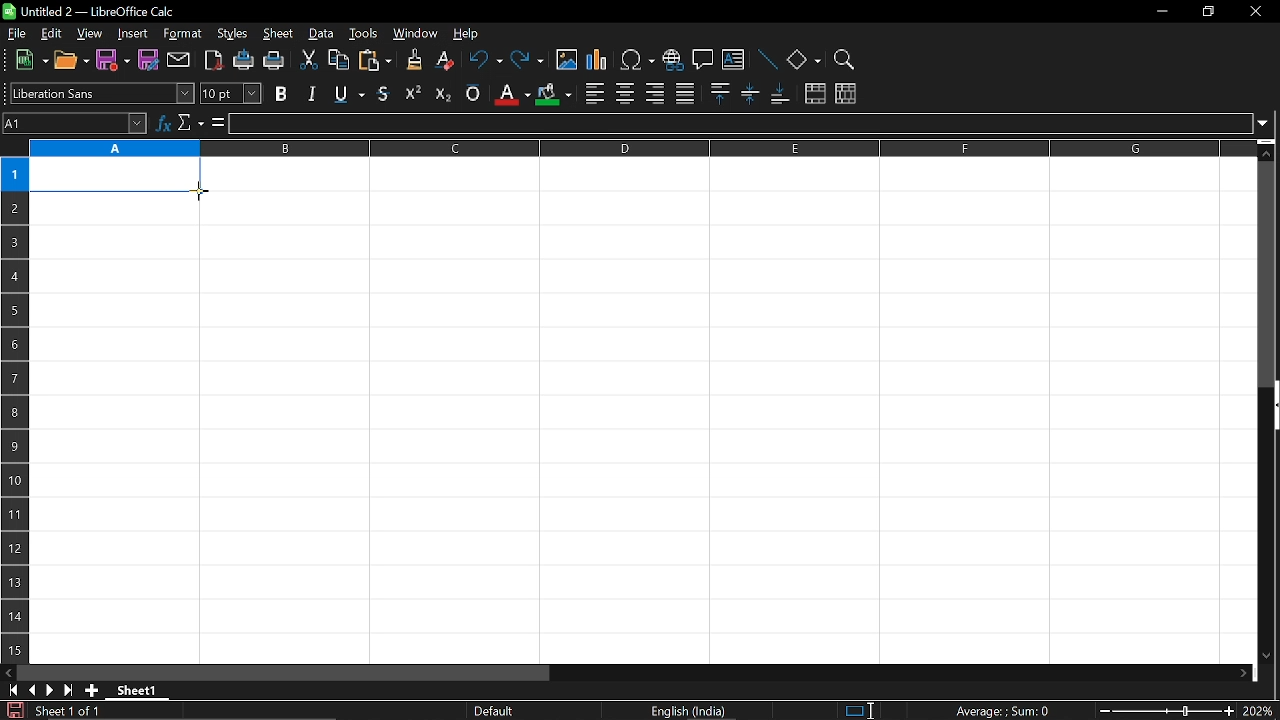  I want to click on Sheet 1, so click(137, 690).